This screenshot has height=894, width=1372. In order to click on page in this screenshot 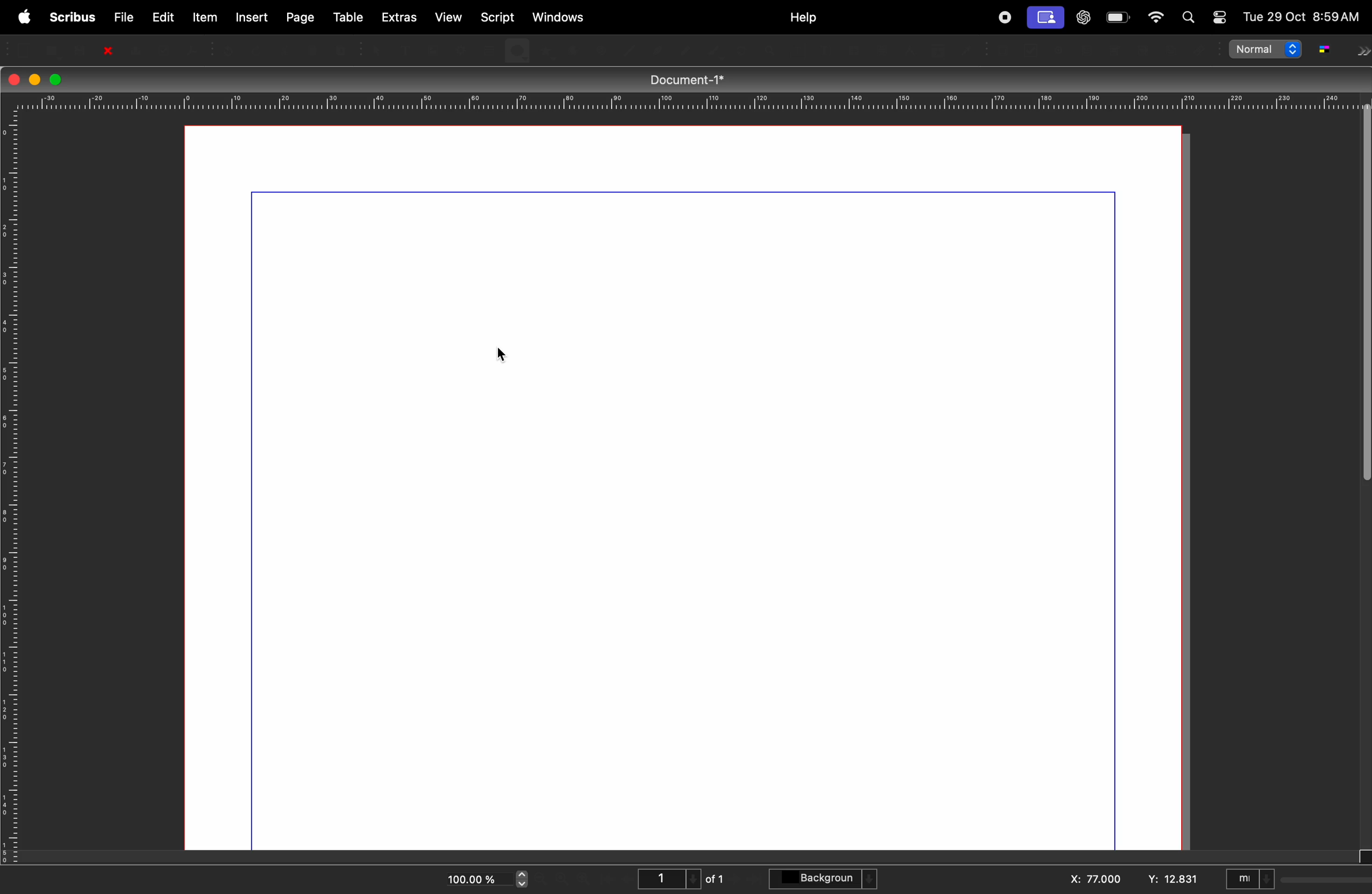, I will do `click(300, 16)`.